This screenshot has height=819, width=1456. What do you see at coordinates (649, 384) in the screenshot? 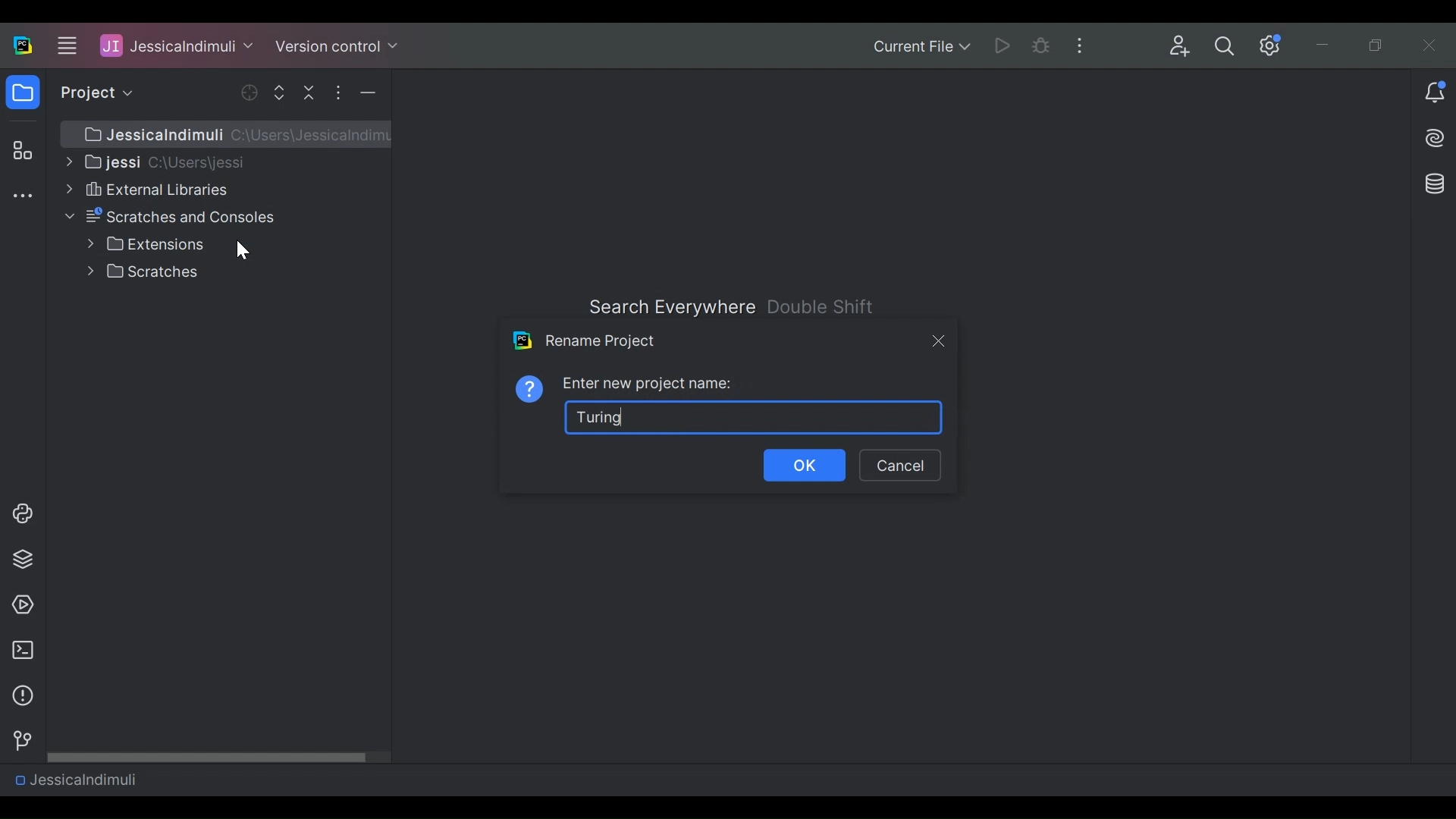
I see `Enter new project name` at bounding box center [649, 384].